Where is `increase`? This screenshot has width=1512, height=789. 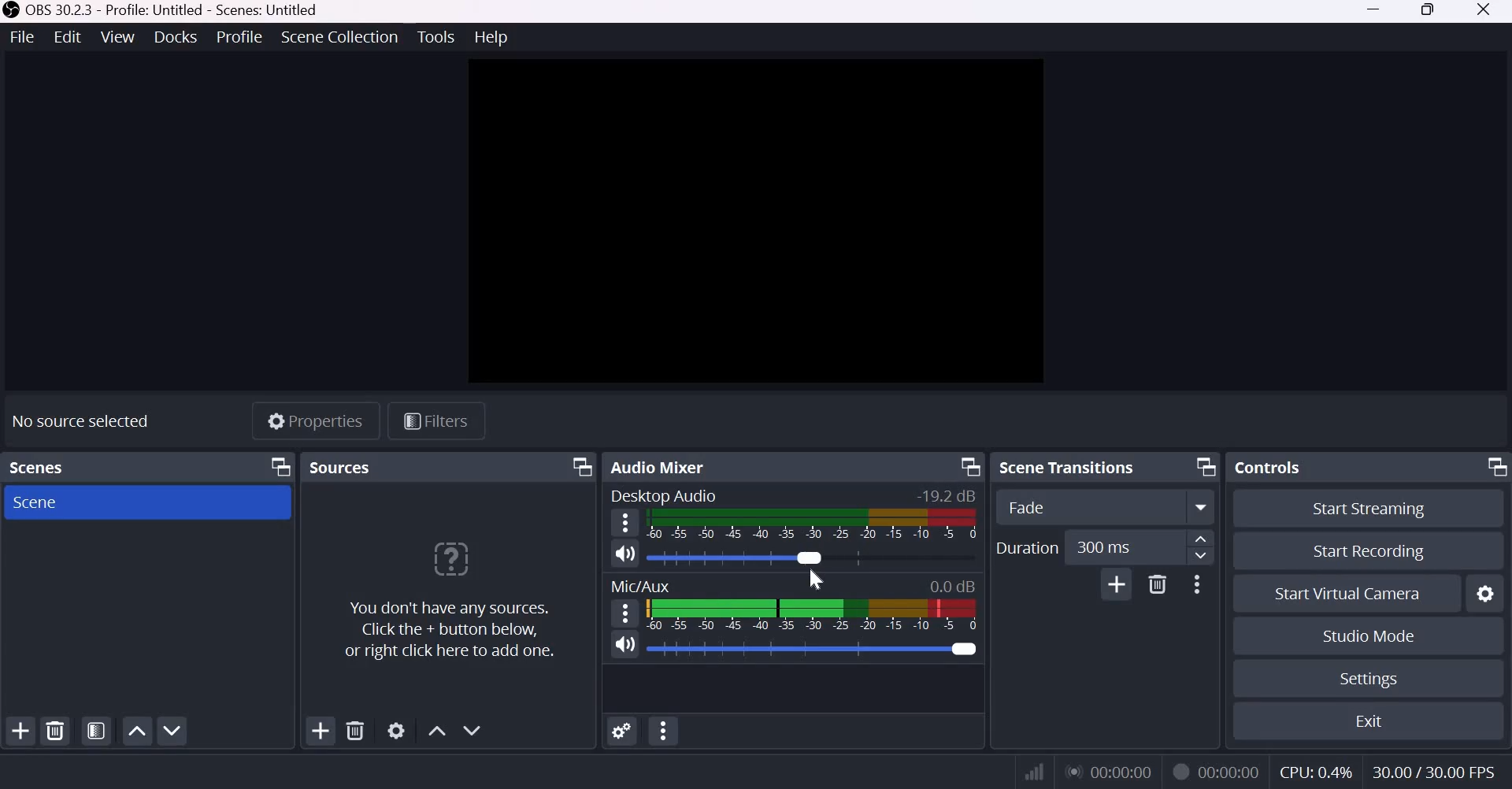
increase is located at coordinates (1202, 540).